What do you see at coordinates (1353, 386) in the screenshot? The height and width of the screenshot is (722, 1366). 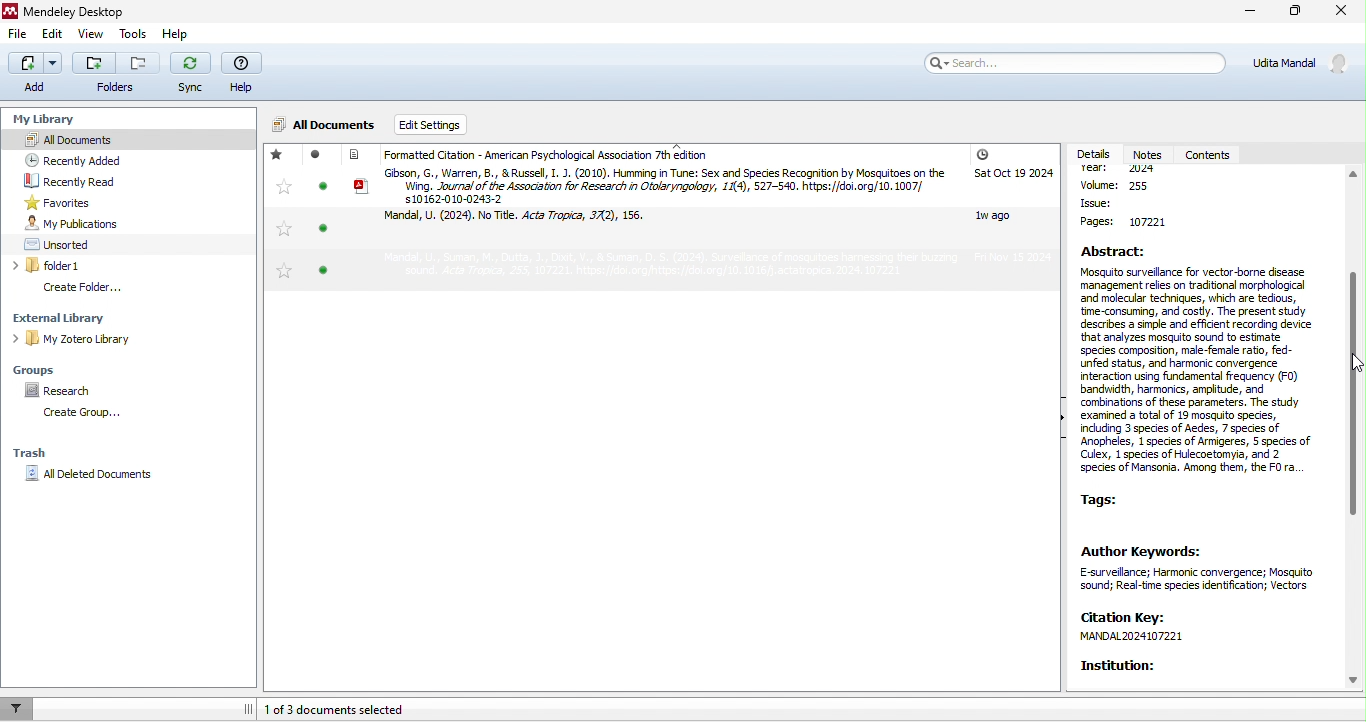 I see `vertical scroll bar` at bounding box center [1353, 386].